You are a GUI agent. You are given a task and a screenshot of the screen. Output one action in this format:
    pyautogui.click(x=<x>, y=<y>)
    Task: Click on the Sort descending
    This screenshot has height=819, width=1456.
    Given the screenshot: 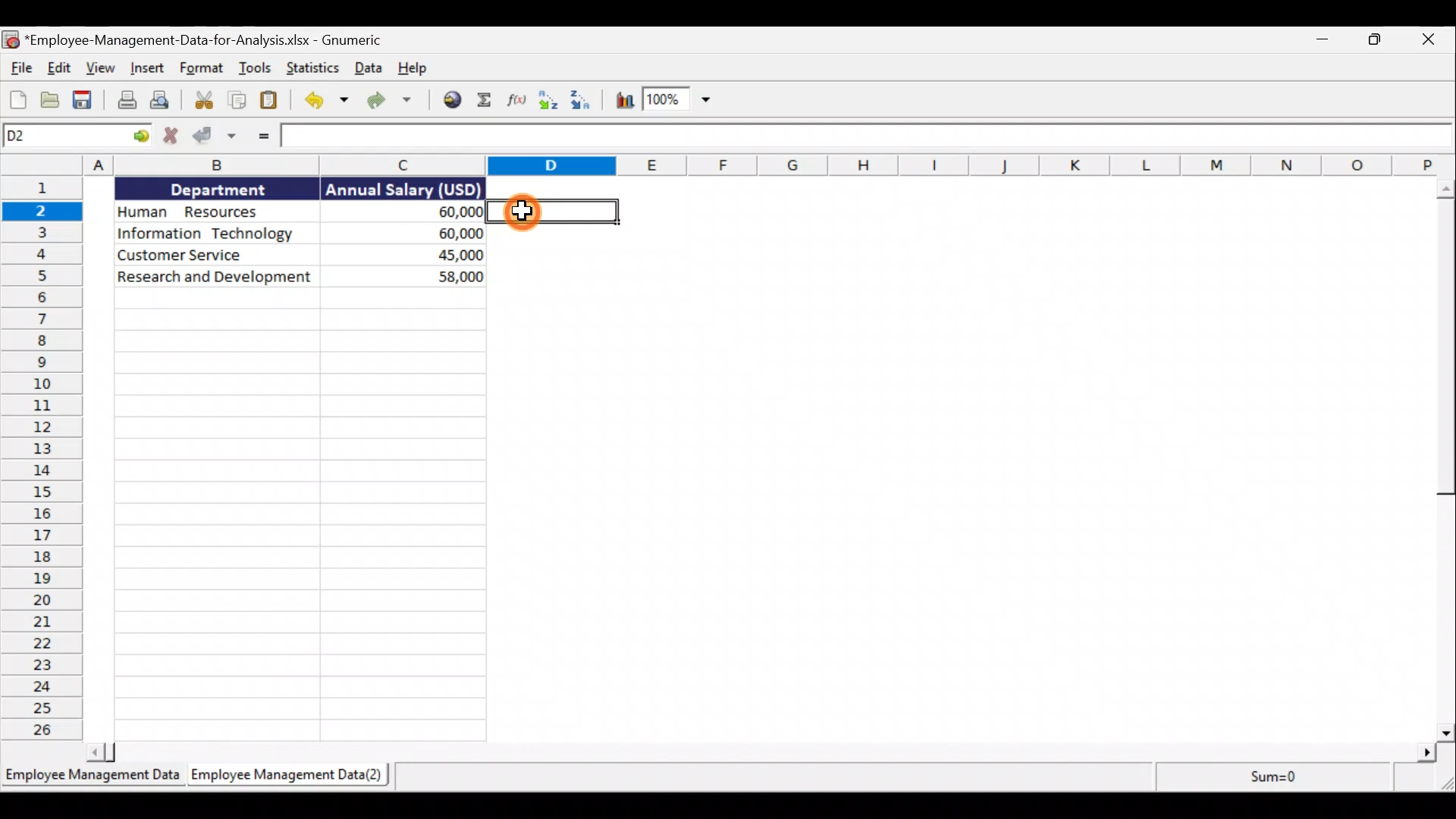 What is the action you would take?
    pyautogui.click(x=586, y=101)
    